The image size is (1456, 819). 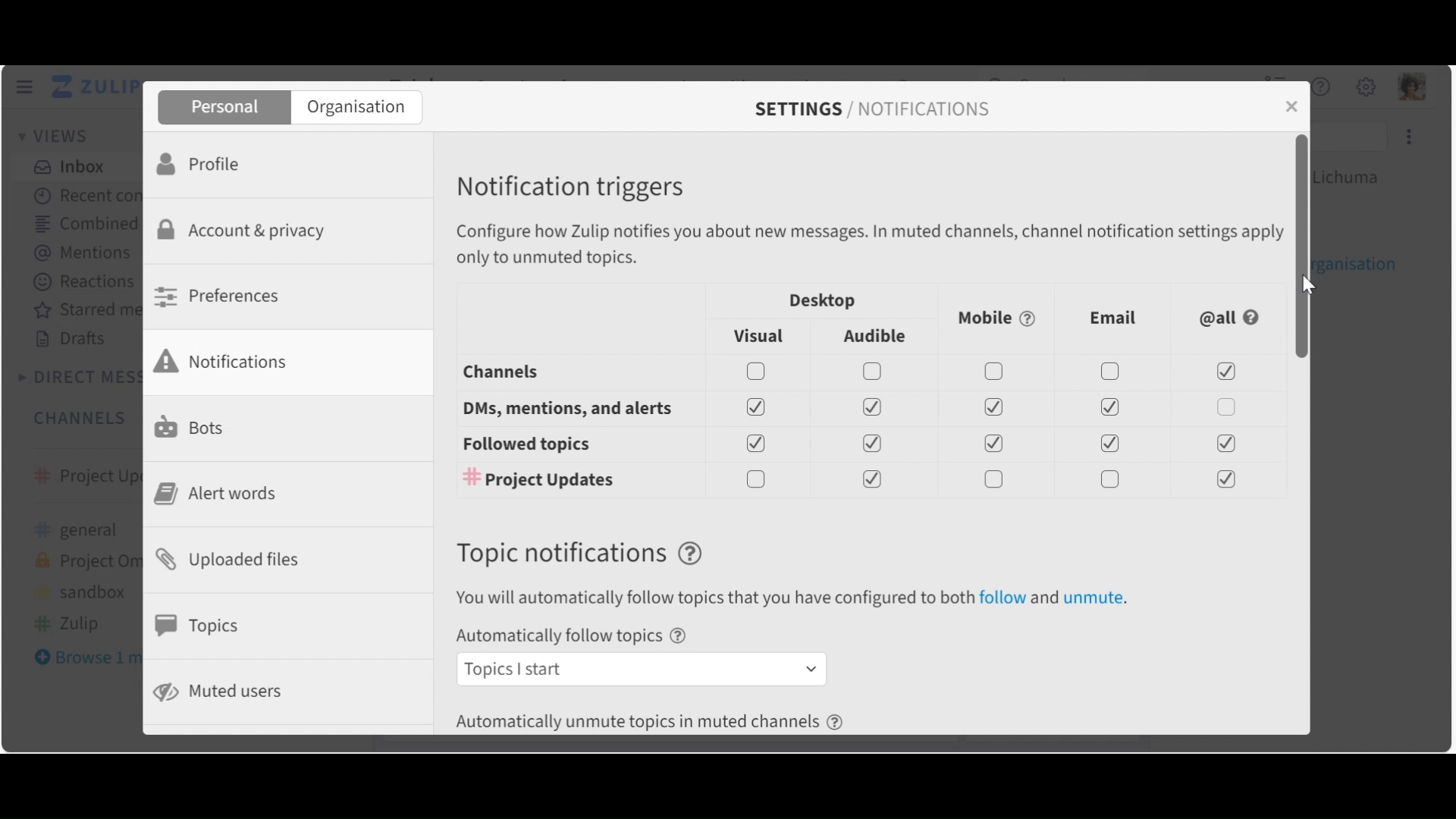 What do you see at coordinates (246, 232) in the screenshot?
I see `Account & Privacy` at bounding box center [246, 232].